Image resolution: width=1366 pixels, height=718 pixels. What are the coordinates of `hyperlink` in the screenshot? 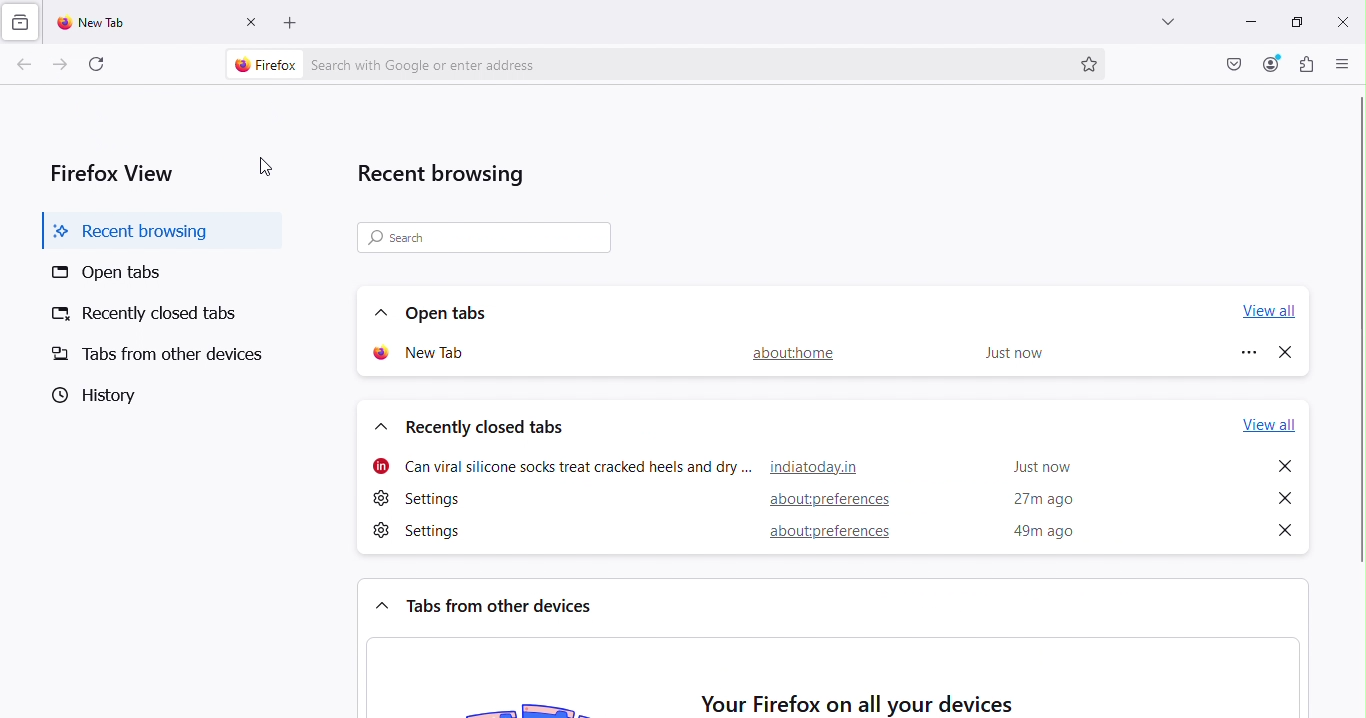 It's located at (823, 532).